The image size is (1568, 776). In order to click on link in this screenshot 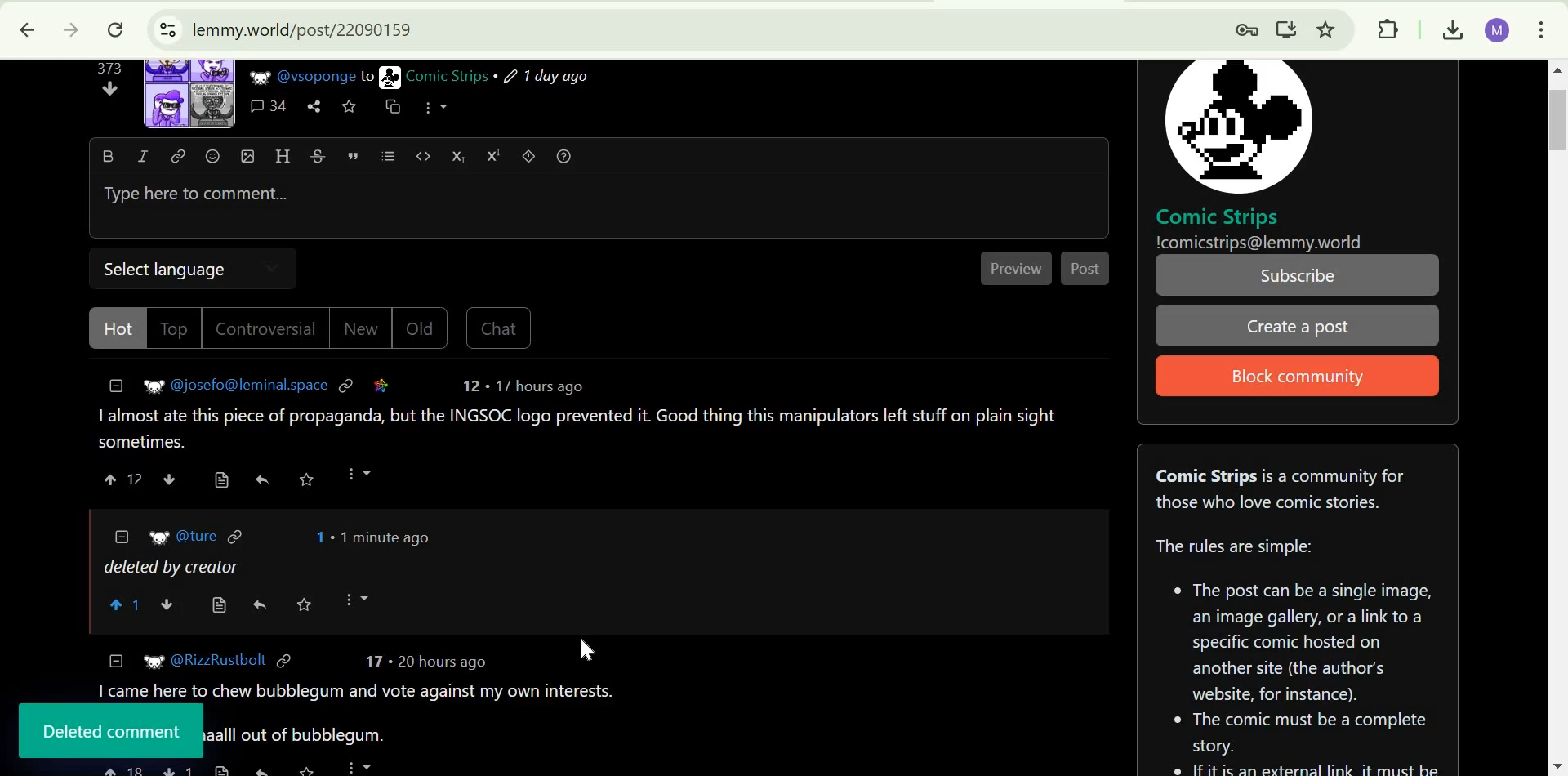, I will do `click(179, 155)`.